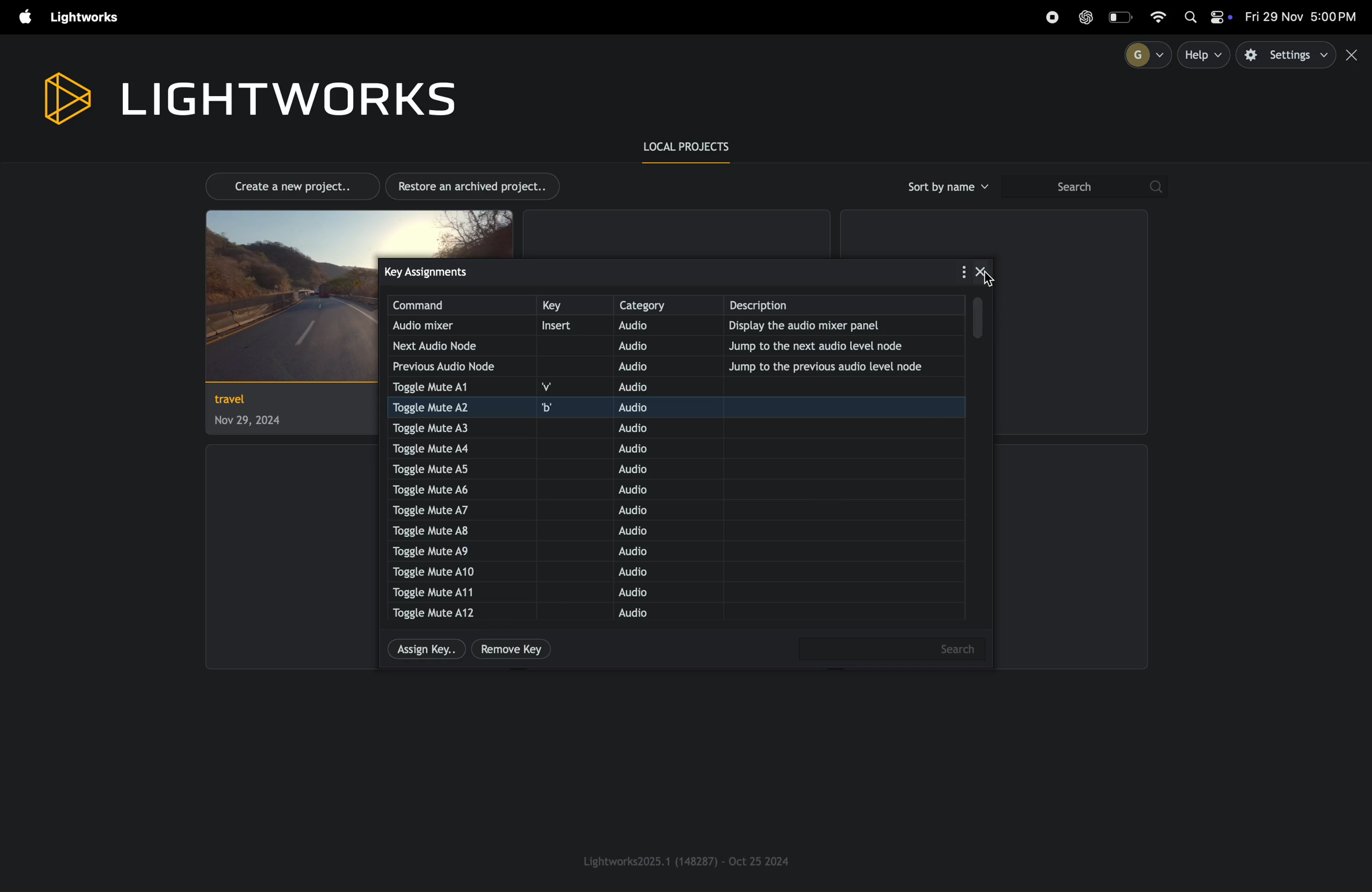  I want to click on toggle muteA7, so click(446, 512).